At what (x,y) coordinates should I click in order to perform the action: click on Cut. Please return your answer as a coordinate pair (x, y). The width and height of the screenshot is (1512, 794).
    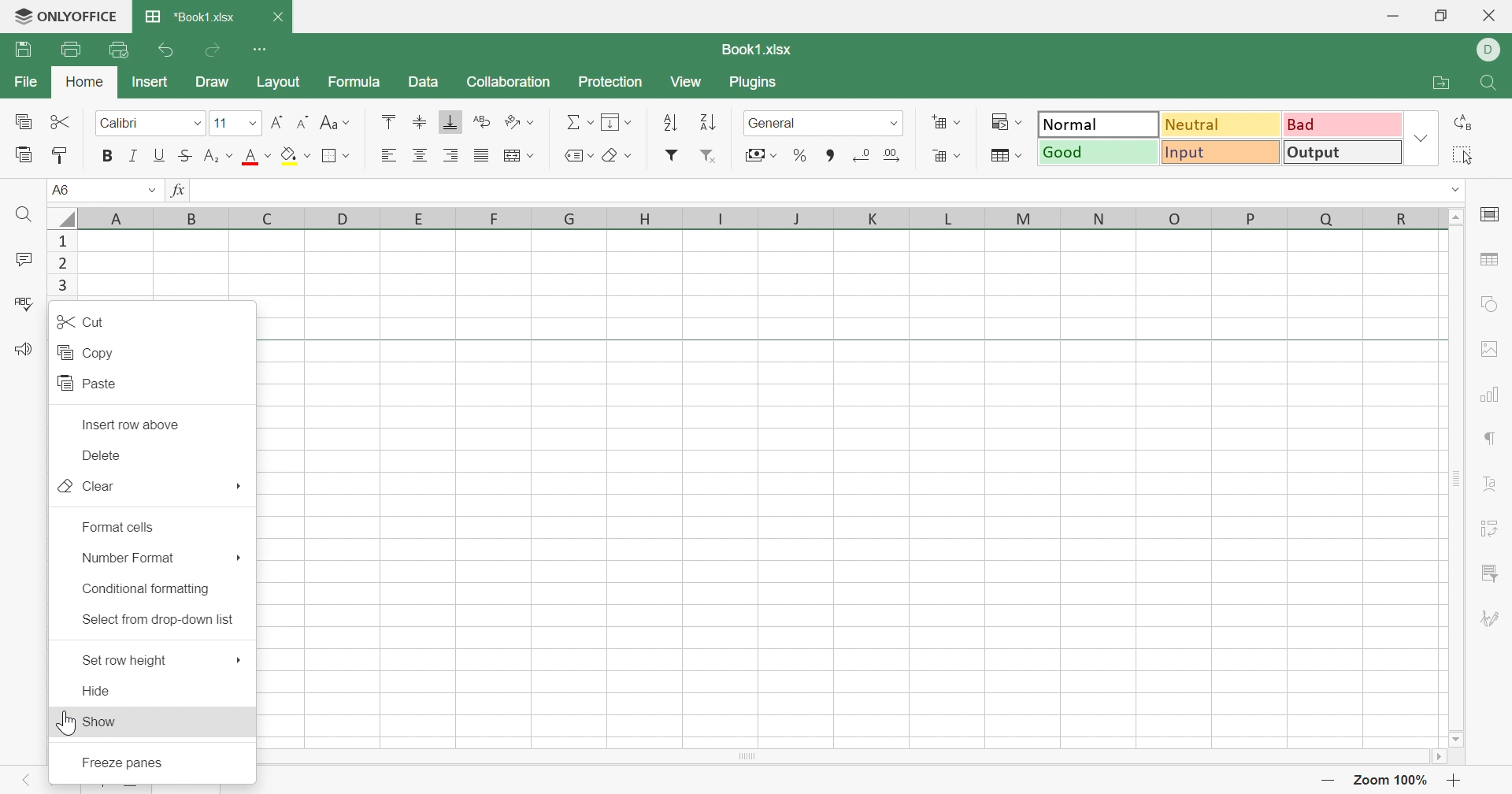
    Looking at the image, I should click on (81, 325).